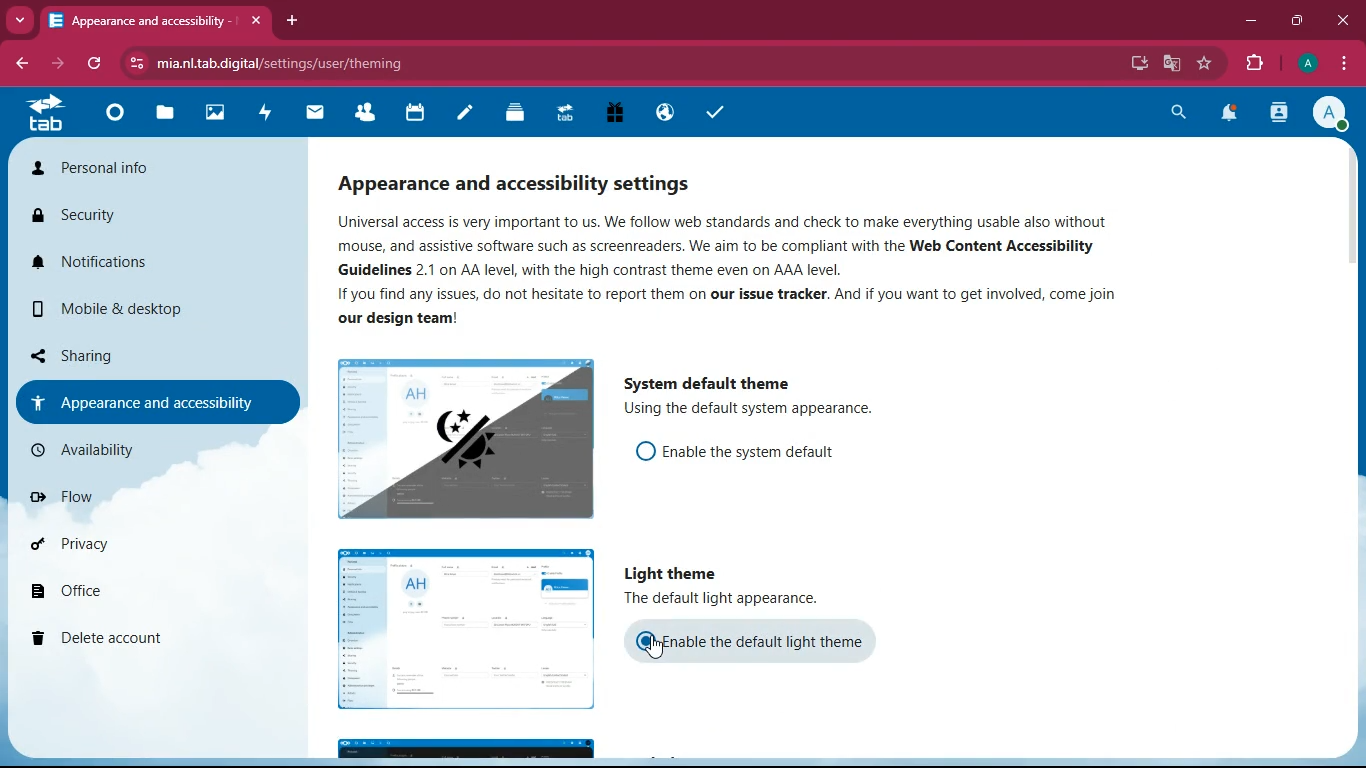 The image size is (1366, 768). What do you see at coordinates (1346, 21) in the screenshot?
I see `close` at bounding box center [1346, 21].